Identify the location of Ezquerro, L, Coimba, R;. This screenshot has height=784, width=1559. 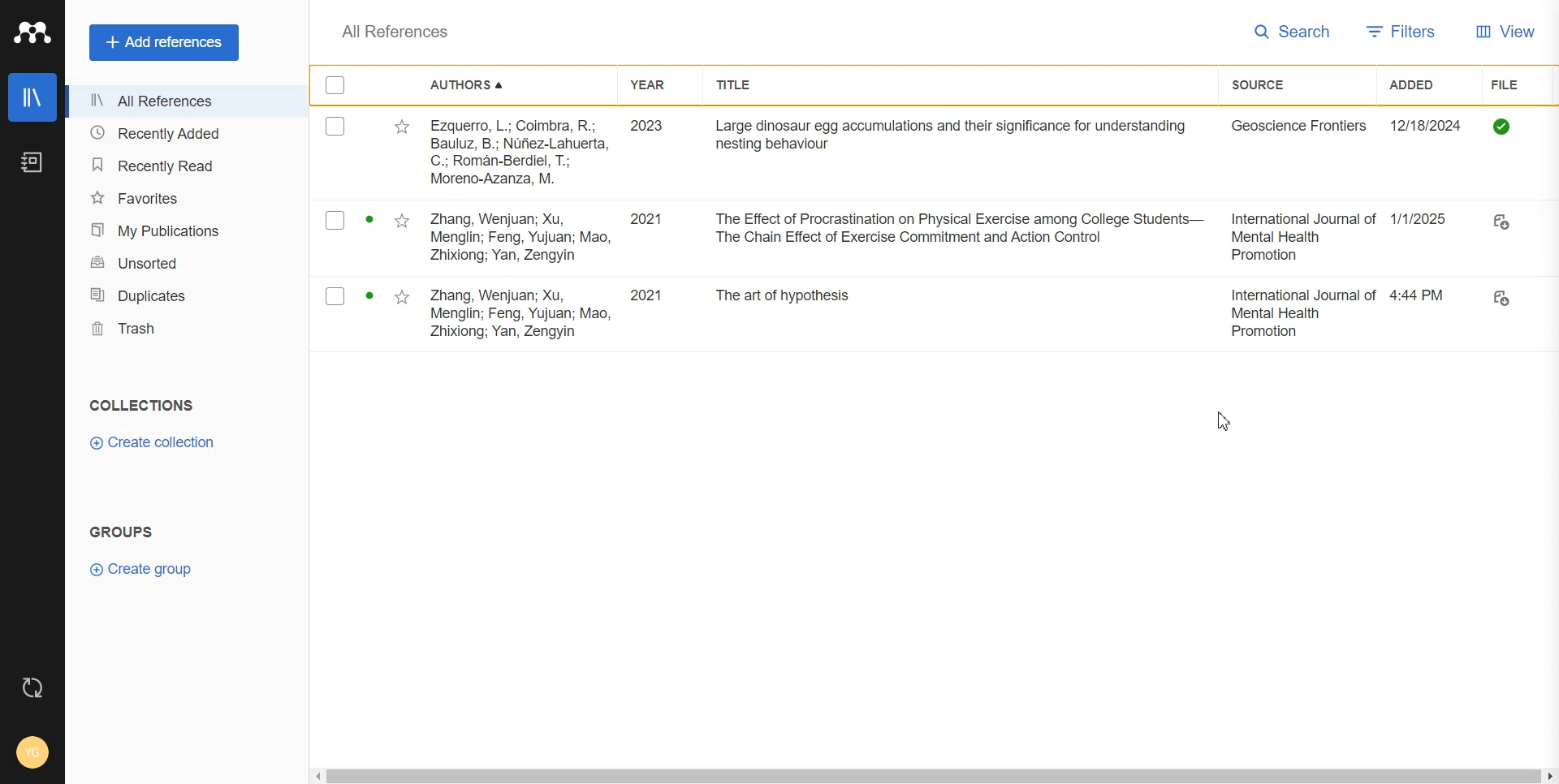
(518, 151).